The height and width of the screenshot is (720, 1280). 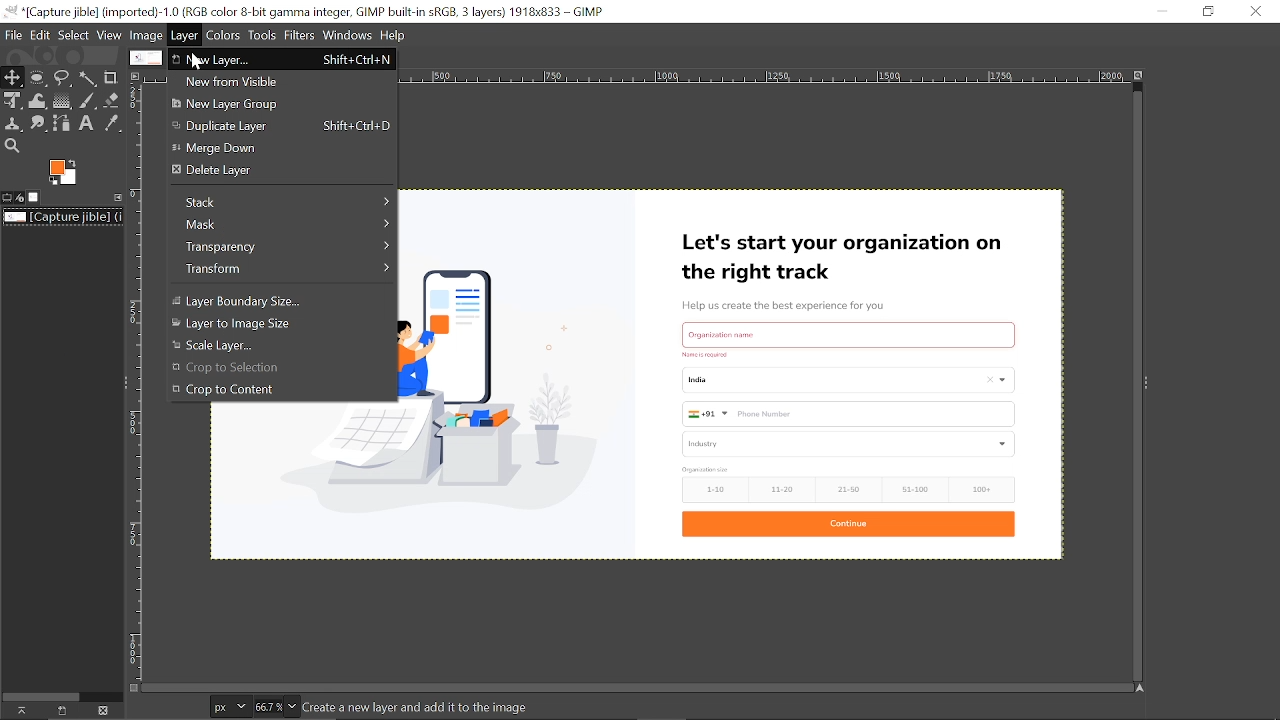 I want to click on Paintbrush tool, so click(x=88, y=101).